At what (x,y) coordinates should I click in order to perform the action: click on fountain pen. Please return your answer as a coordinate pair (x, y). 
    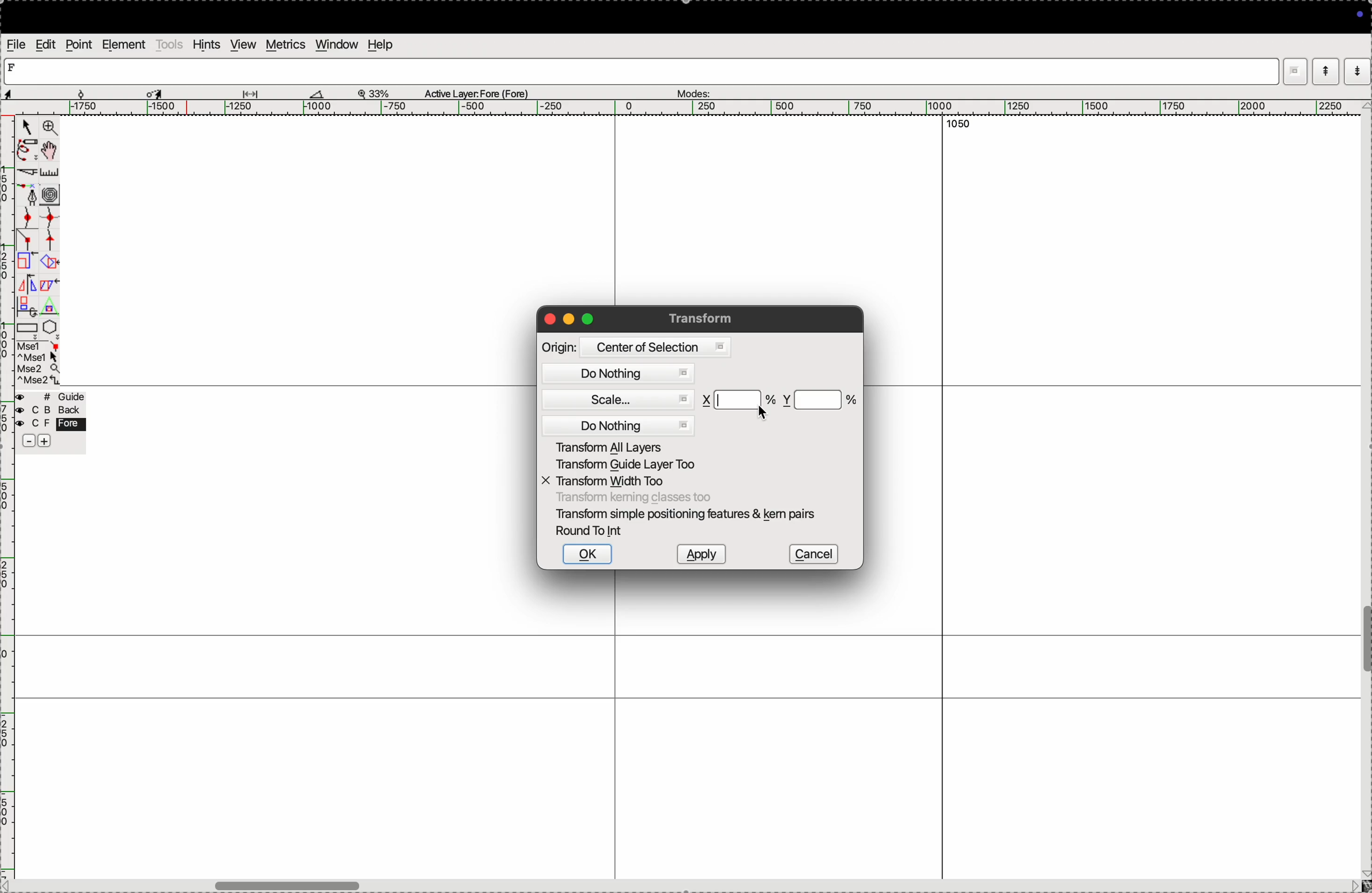
    Looking at the image, I should click on (32, 196).